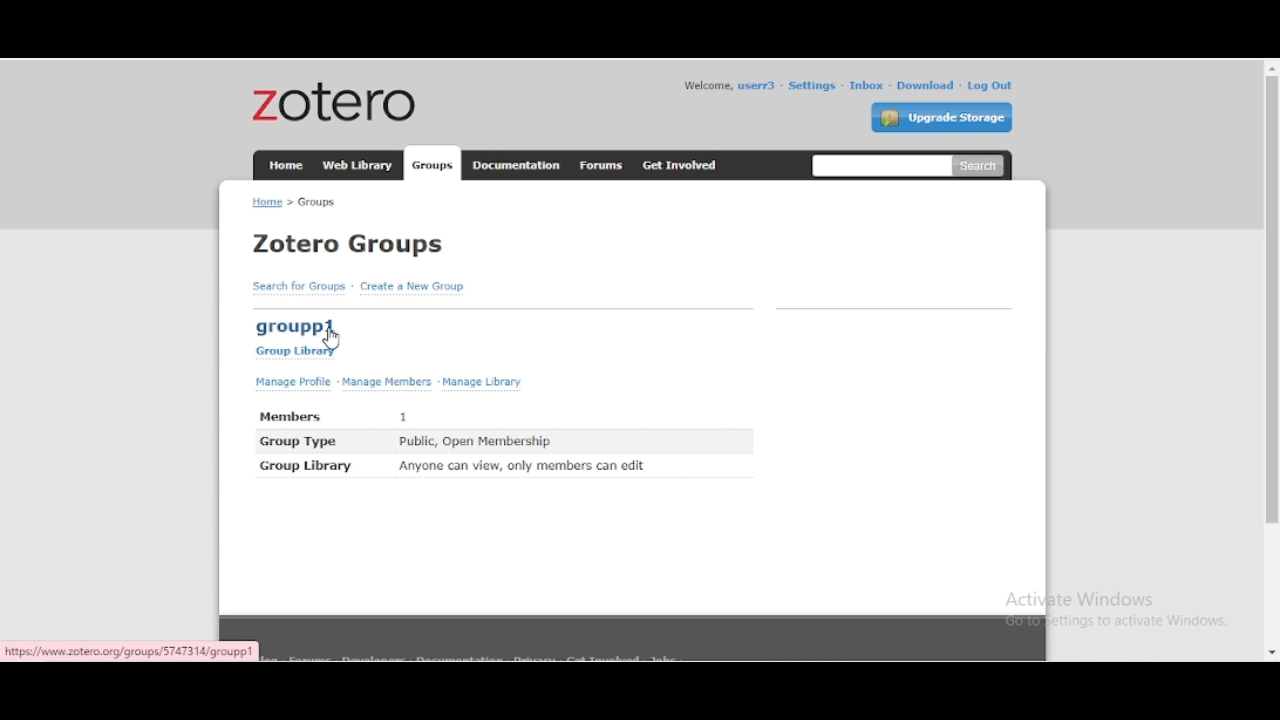 The width and height of the screenshot is (1280, 720). I want to click on inbox, so click(867, 85).